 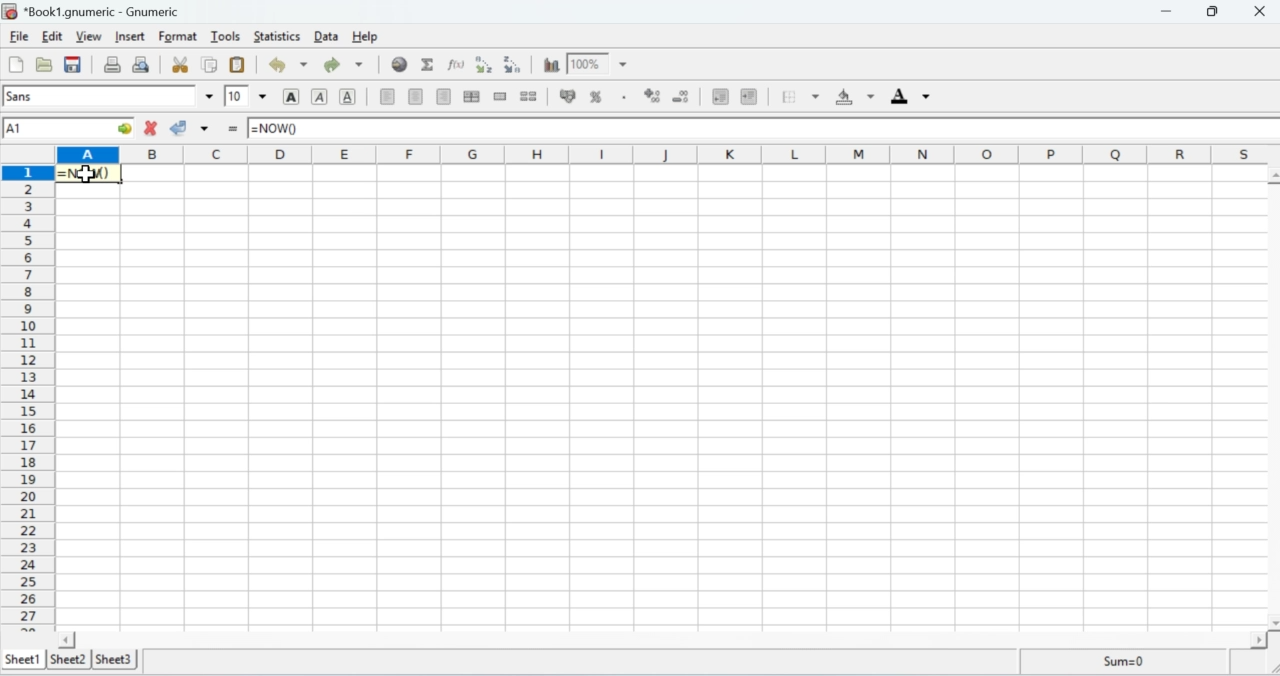 I want to click on Sheet 2, so click(x=66, y=659).